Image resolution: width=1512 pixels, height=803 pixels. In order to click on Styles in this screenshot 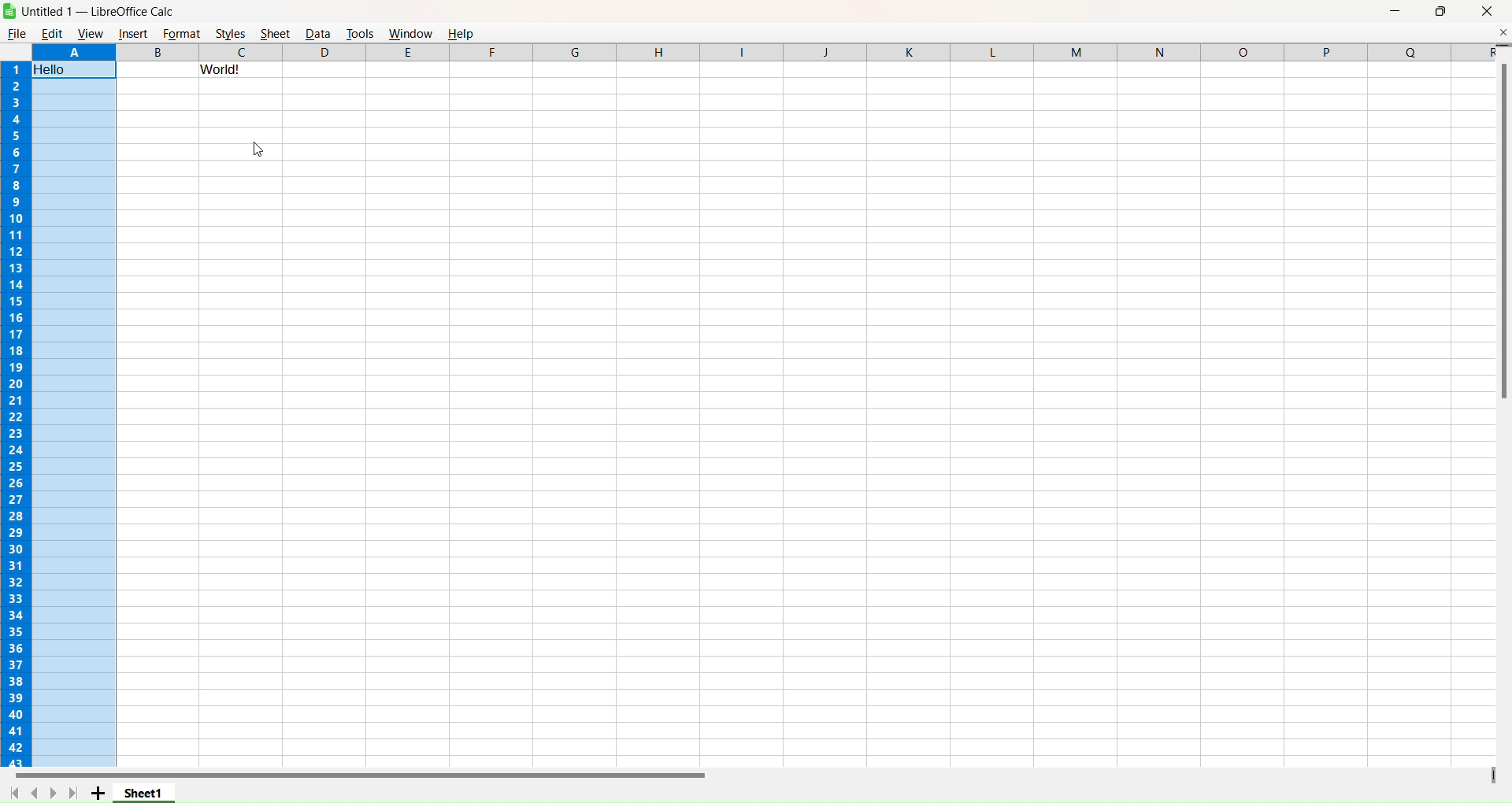, I will do `click(231, 33)`.